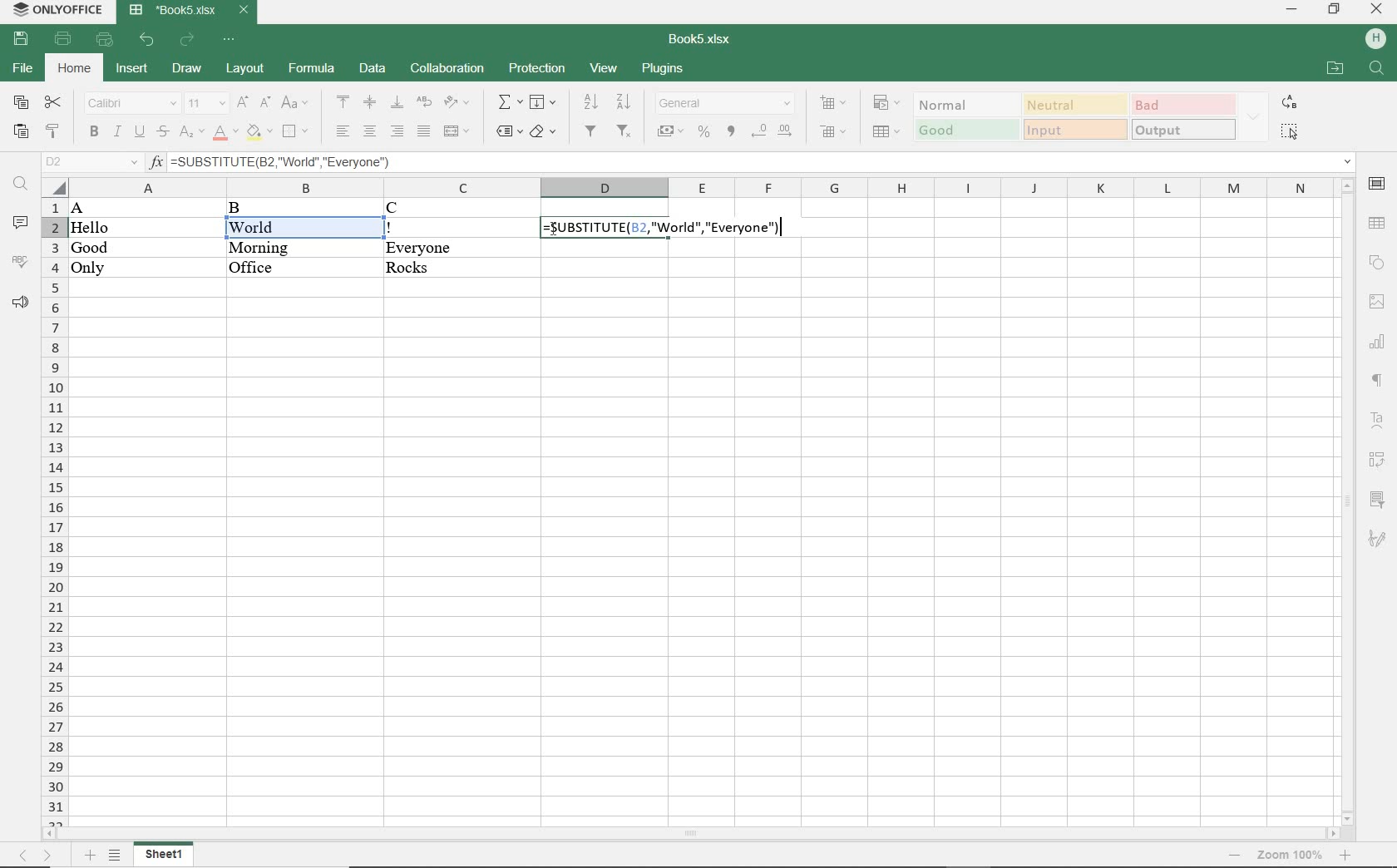 The height and width of the screenshot is (868, 1397). Describe the element at coordinates (727, 103) in the screenshot. I see `number format` at that location.